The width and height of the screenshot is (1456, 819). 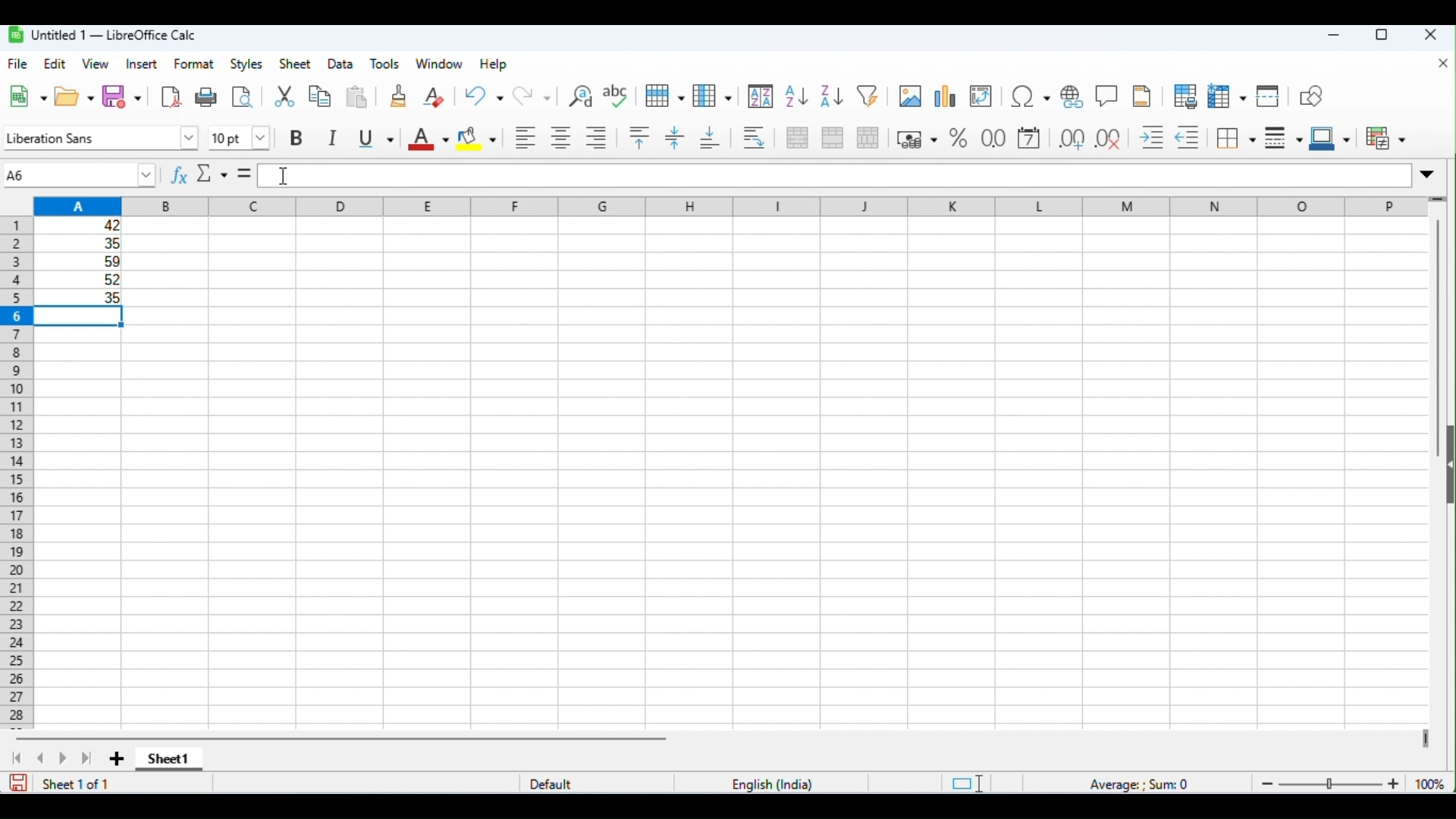 What do you see at coordinates (795, 137) in the screenshot?
I see `merge and center` at bounding box center [795, 137].